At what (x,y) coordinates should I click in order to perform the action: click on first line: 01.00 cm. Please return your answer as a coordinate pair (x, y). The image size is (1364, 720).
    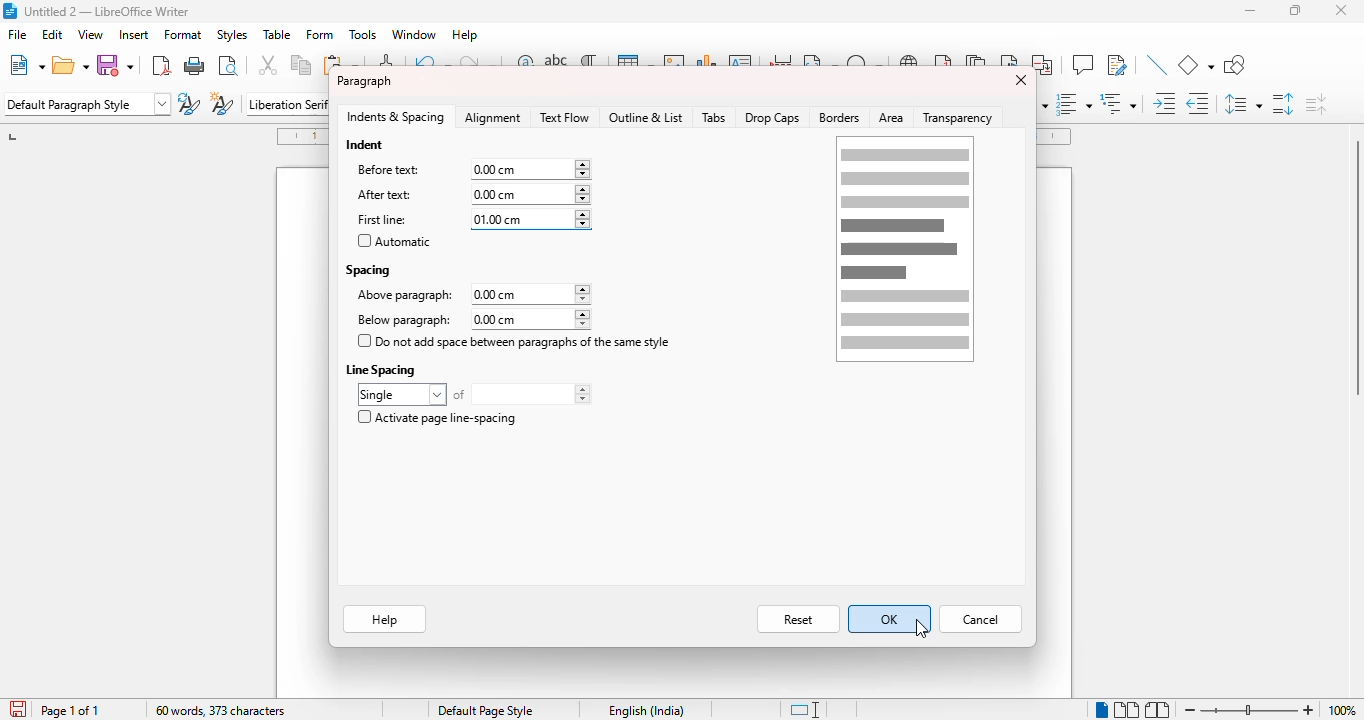
    Looking at the image, I should click on (470, 220).